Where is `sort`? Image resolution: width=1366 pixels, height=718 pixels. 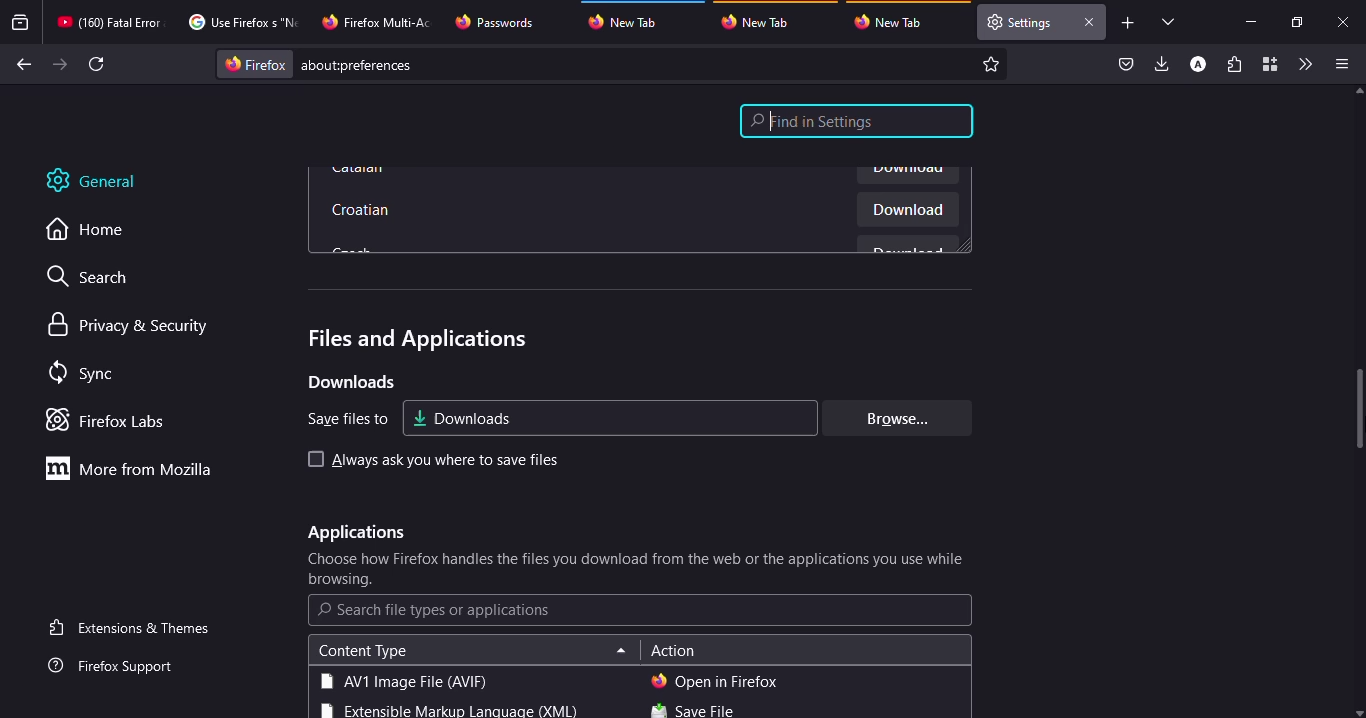
sort is located at coordinates (615, 648).